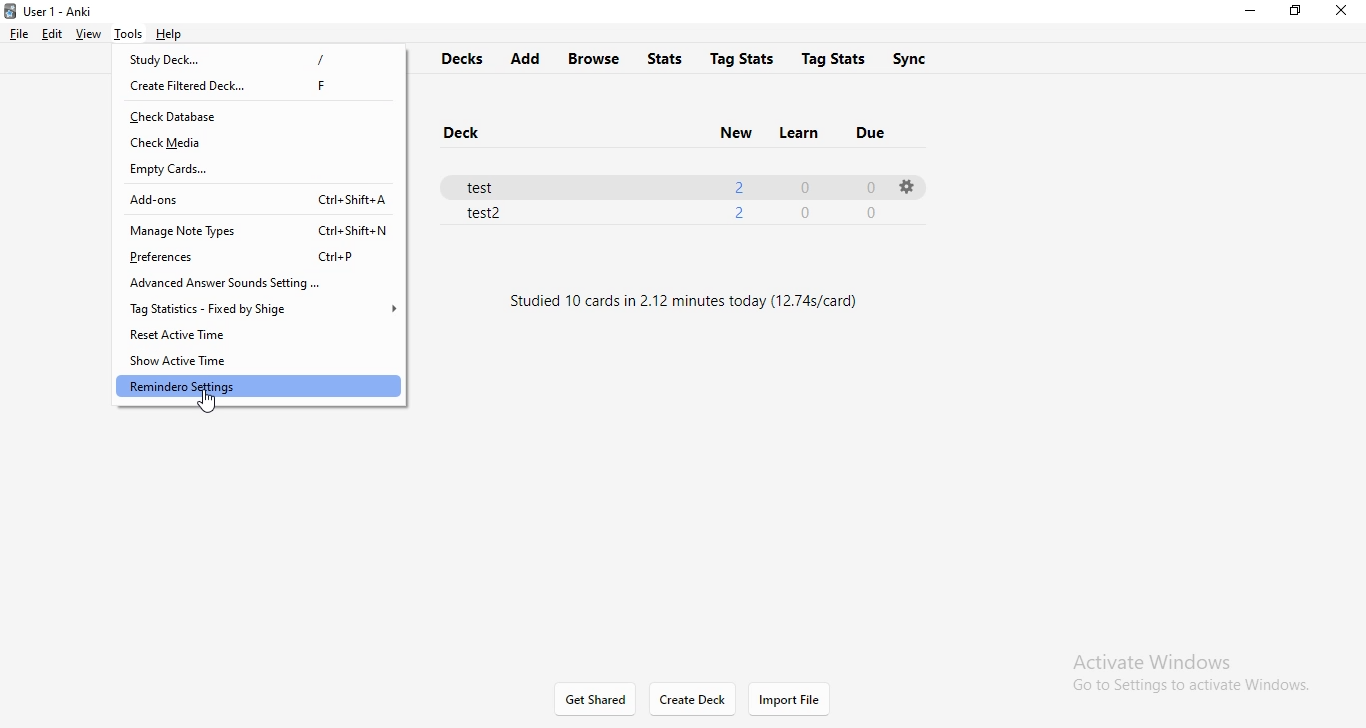 This screenshot has height=728, width=1366. Describe the element at coordinates (1294, 11) in the screenshot. I see `restore` at that location.